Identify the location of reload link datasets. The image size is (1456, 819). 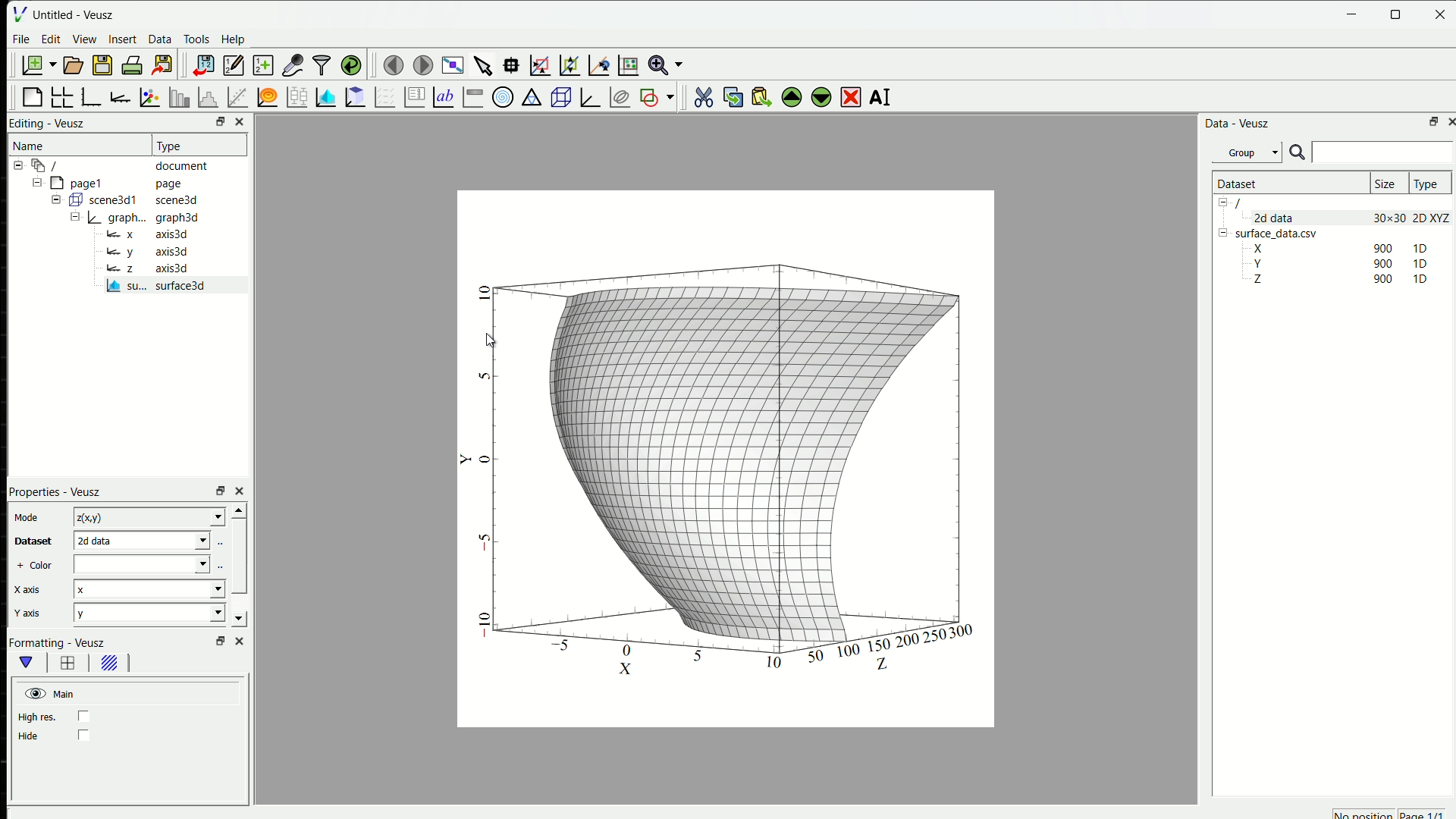
(352, 65).